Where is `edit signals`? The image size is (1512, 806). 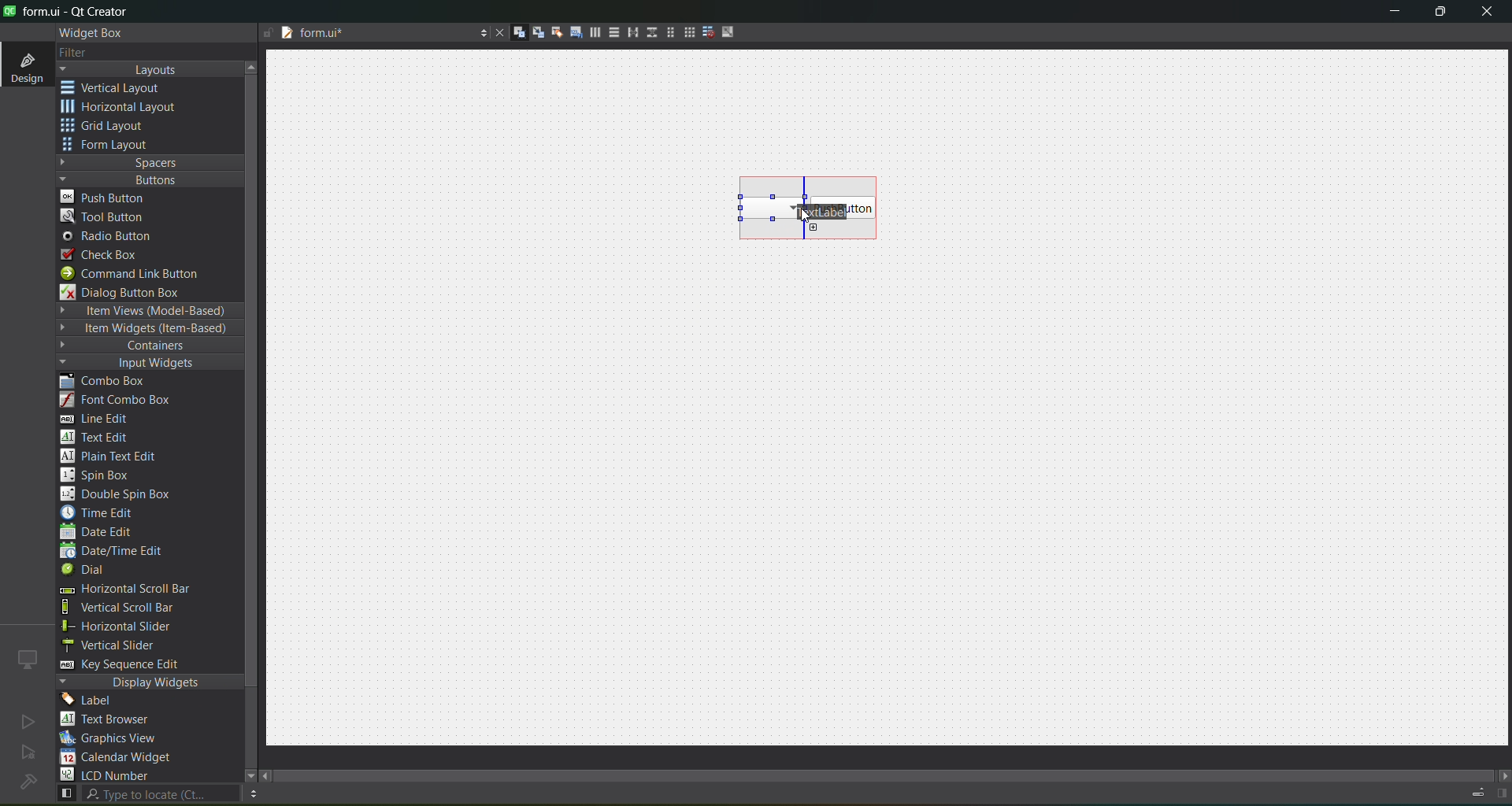
edit signals is located at coordinates (532, 31).